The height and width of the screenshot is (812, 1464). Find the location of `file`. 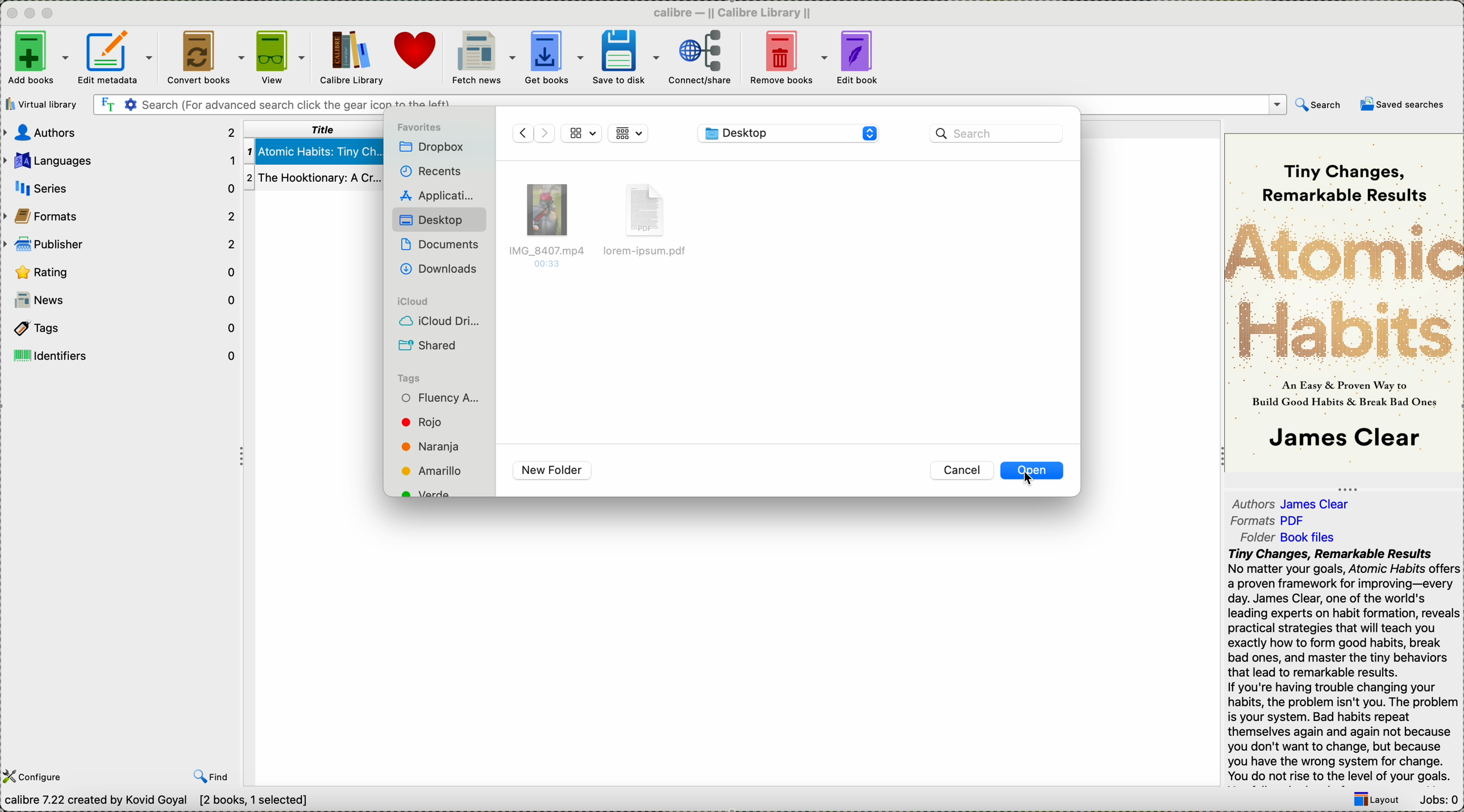

file is located at coordinates (650, 223).